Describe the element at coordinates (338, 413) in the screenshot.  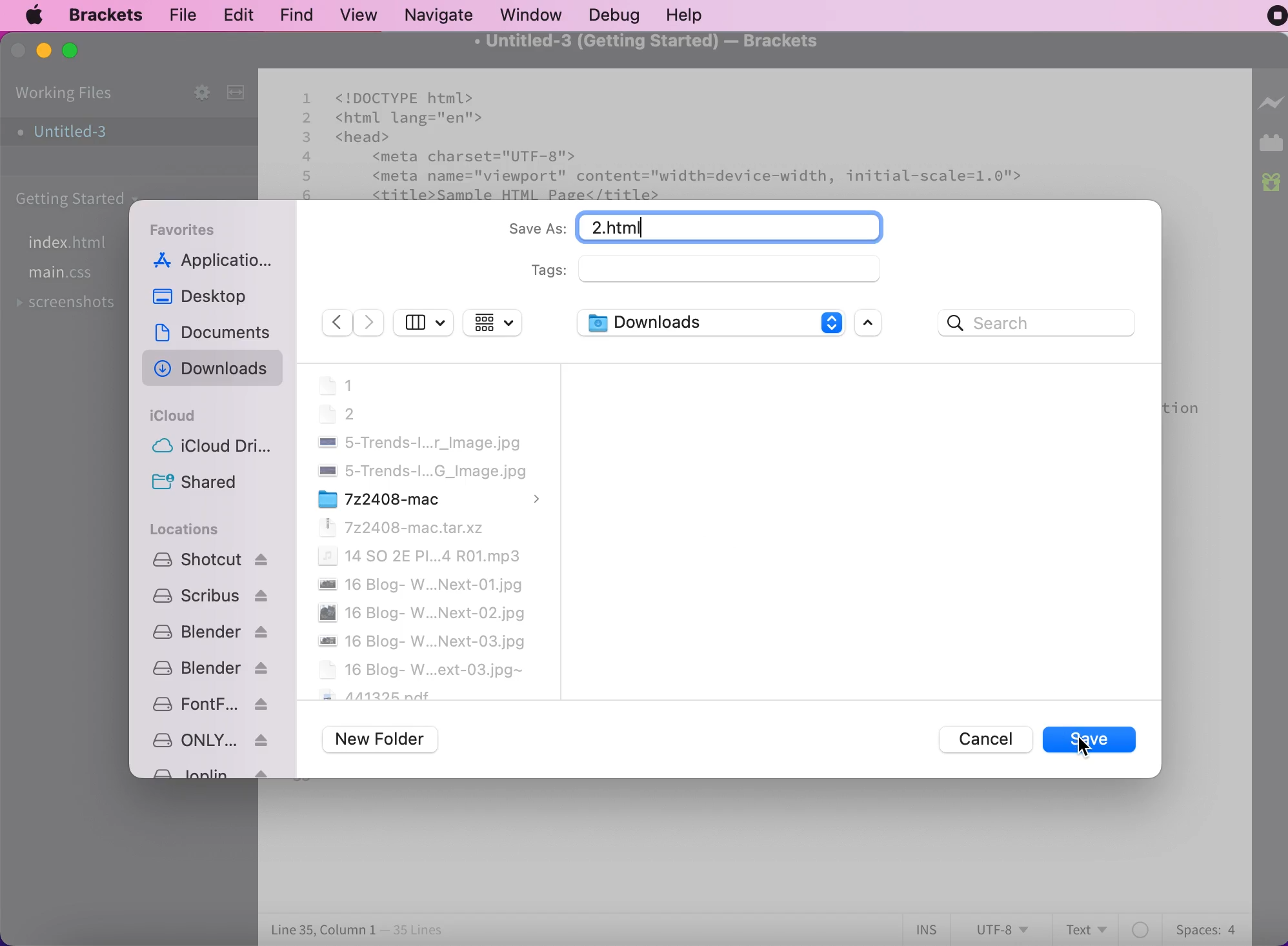
I see `2` at that location.